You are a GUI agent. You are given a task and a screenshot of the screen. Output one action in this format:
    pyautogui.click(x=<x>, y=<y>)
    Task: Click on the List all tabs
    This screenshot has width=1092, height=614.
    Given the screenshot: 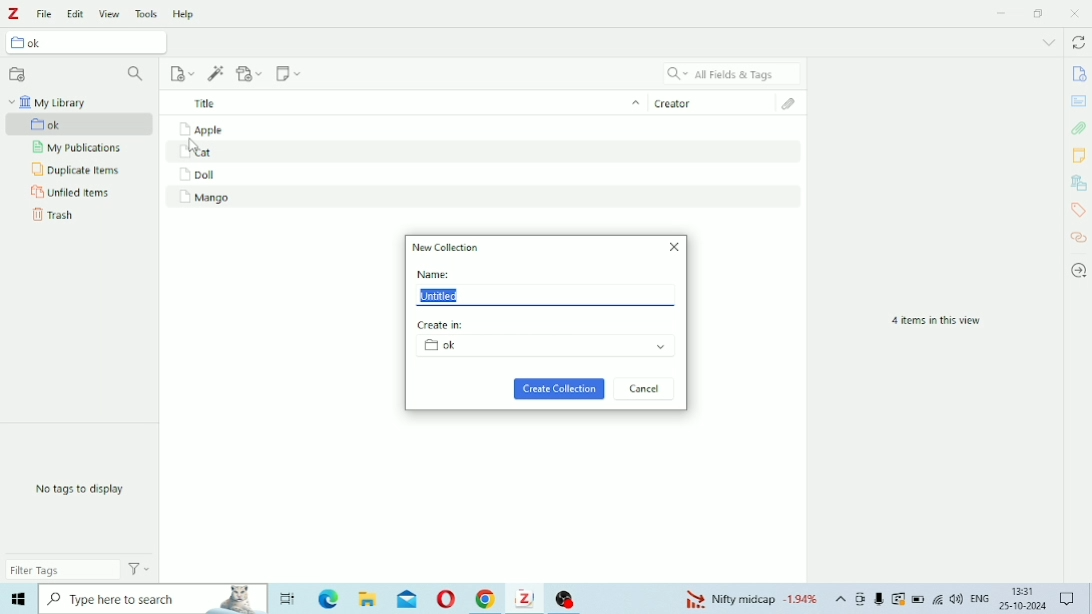 What is the action you would take?
    pyautogui.click(x=1049, y=42)
    